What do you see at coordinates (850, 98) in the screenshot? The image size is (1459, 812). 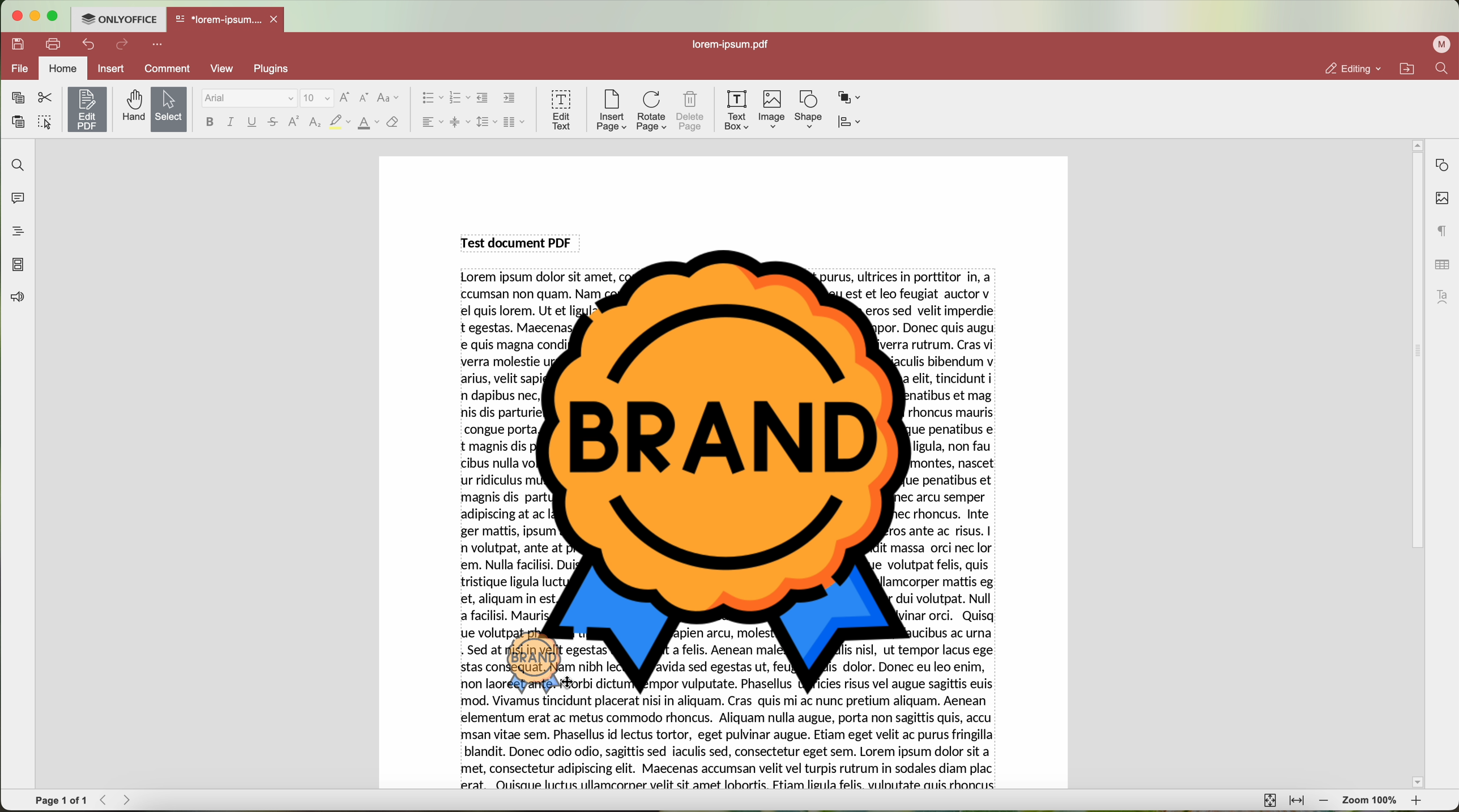 I see `arrange shape` at bounding box center [850, 98].